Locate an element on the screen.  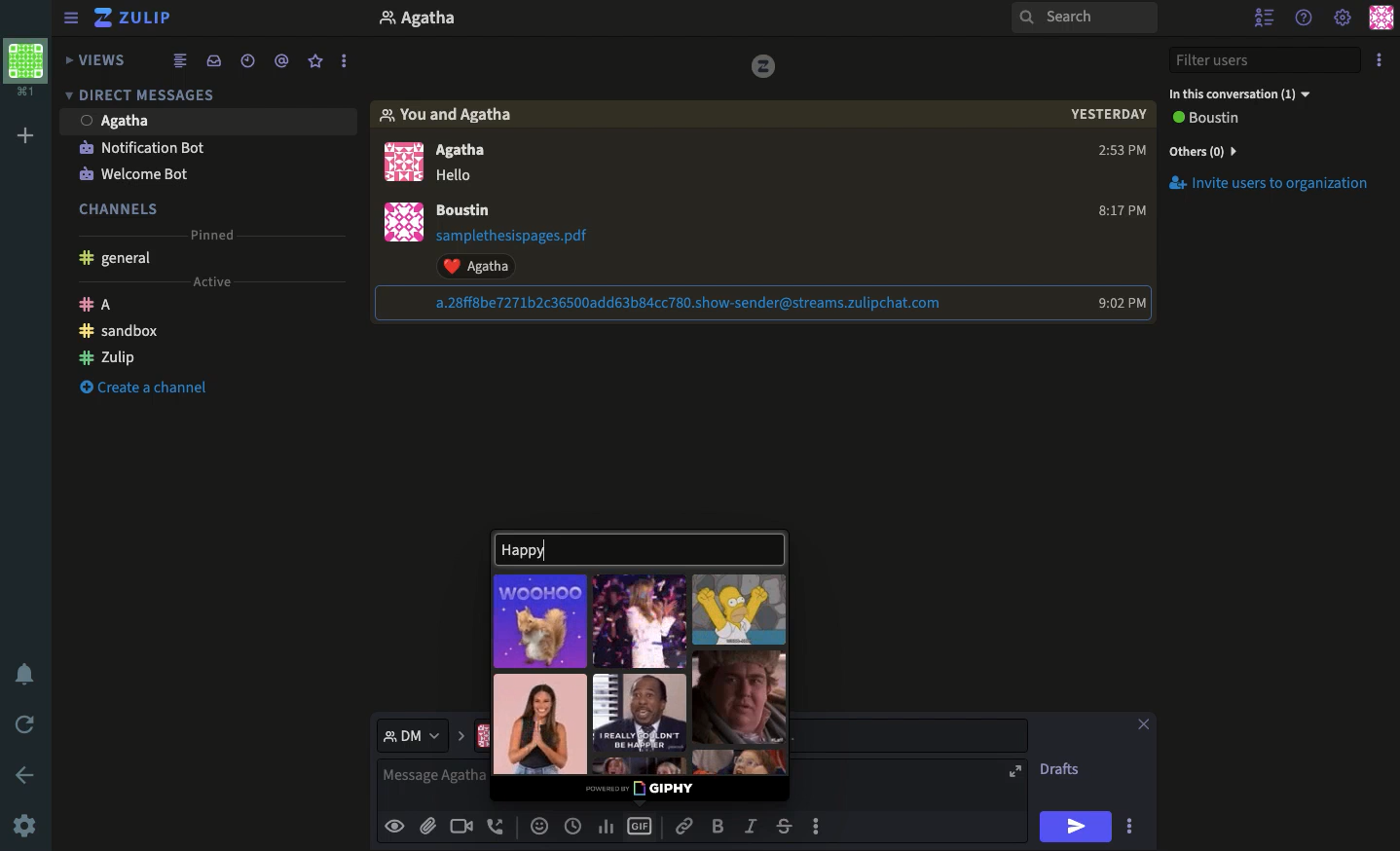
Notification  is located at coordinates (142, 147).